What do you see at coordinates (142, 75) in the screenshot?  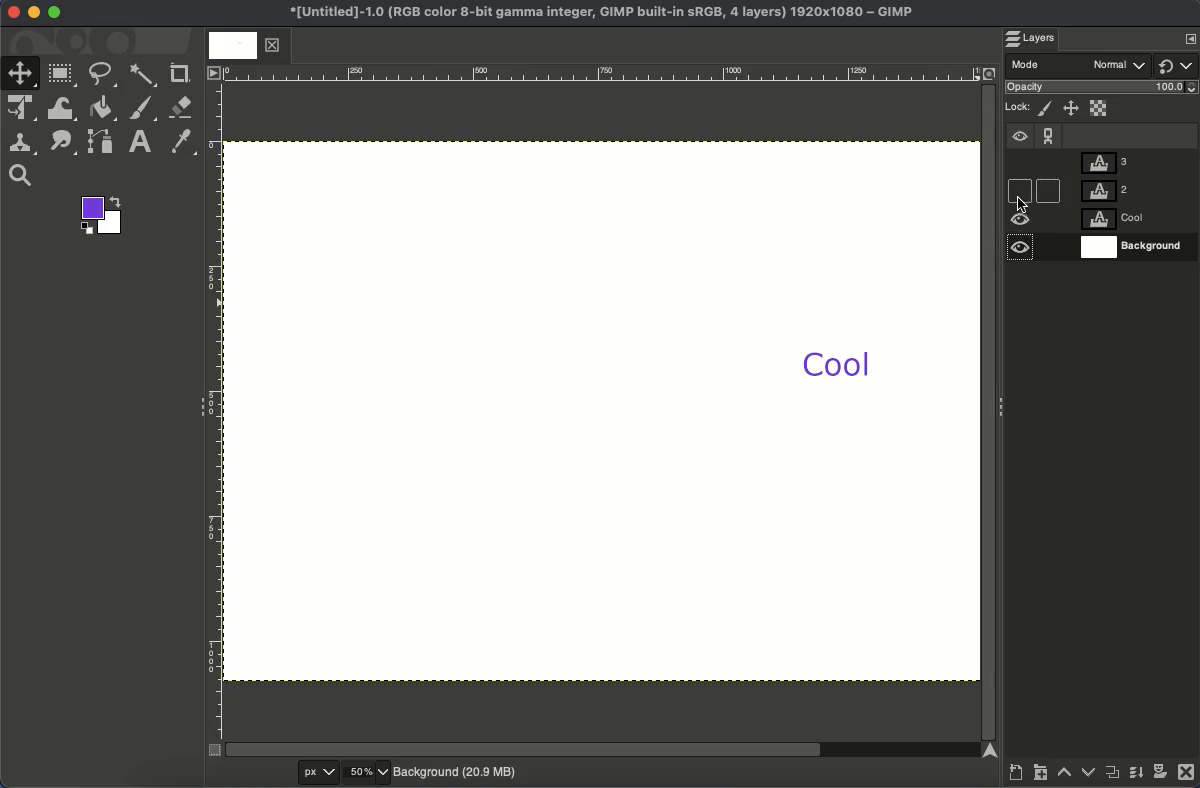 I see `Fuzzy select` at bounding box center [142, 75].